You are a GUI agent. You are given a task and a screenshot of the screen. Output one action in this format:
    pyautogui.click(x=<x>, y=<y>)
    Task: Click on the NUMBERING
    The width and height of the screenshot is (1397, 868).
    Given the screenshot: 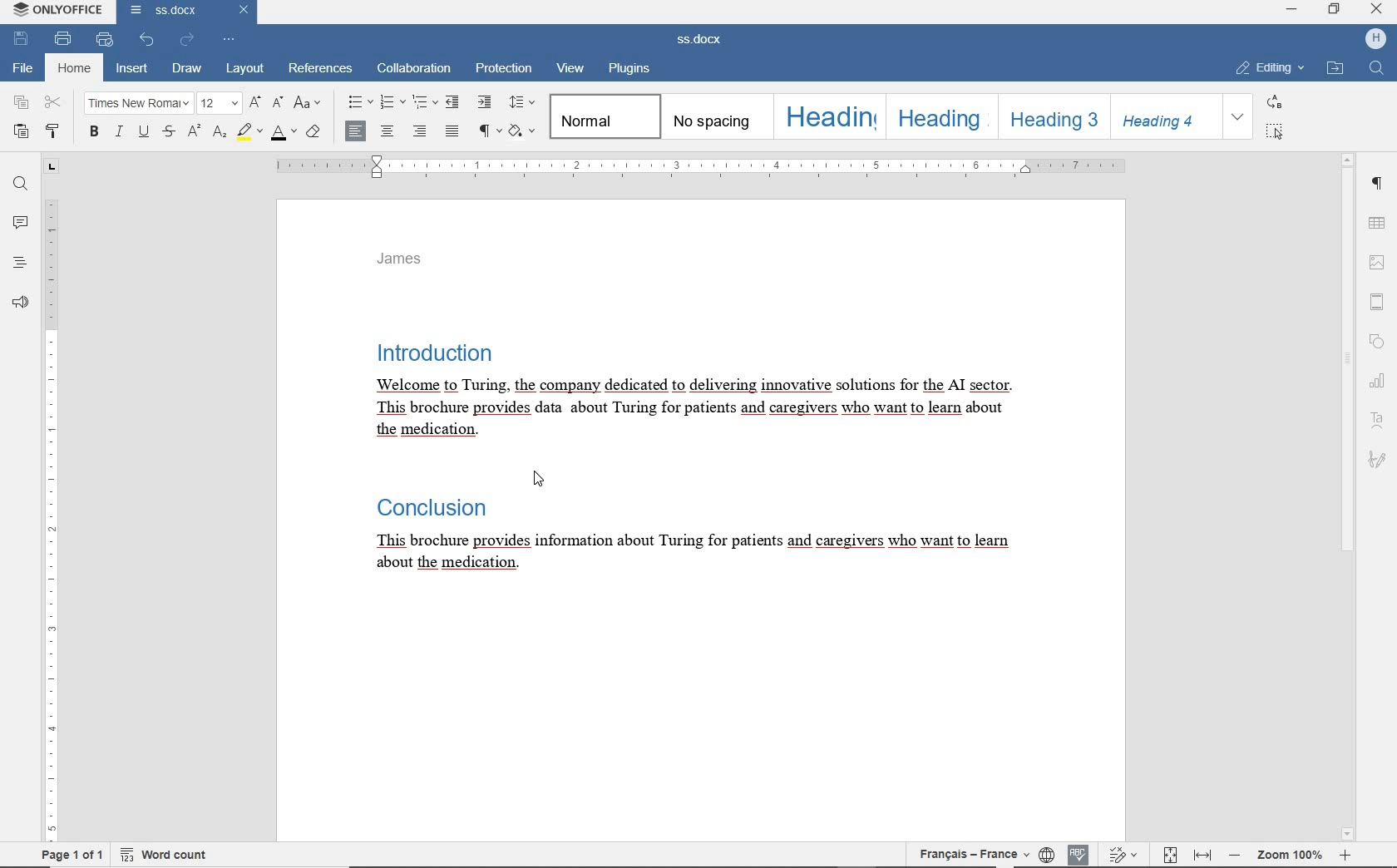 What is the action you would take?
    pyautogui.click(x=395, y=101)
    